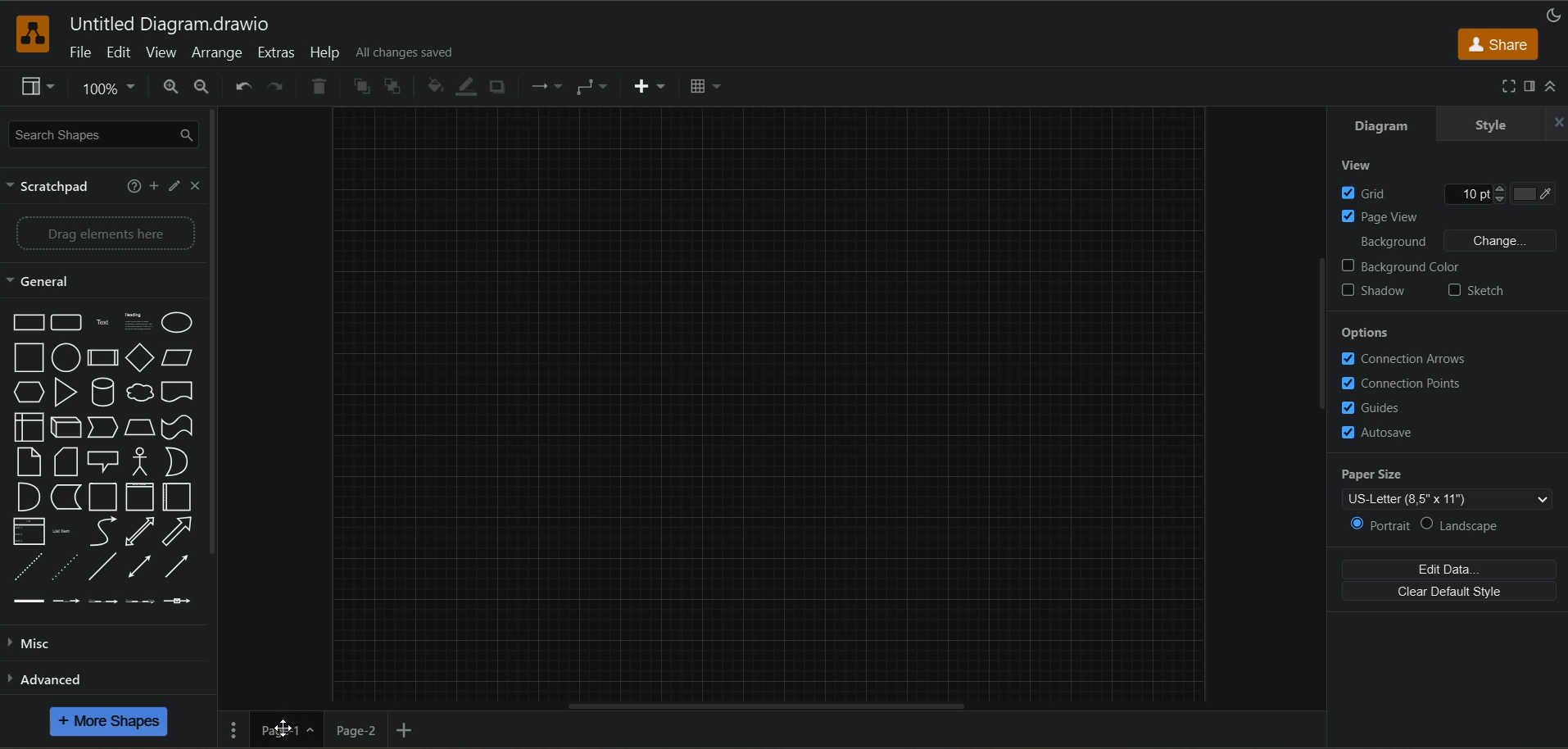 The image size is (1568, 749). What do you see at coordinates (1387, 433) in the screenshot?
I see `autosave` at bounding box center [1387, 433].